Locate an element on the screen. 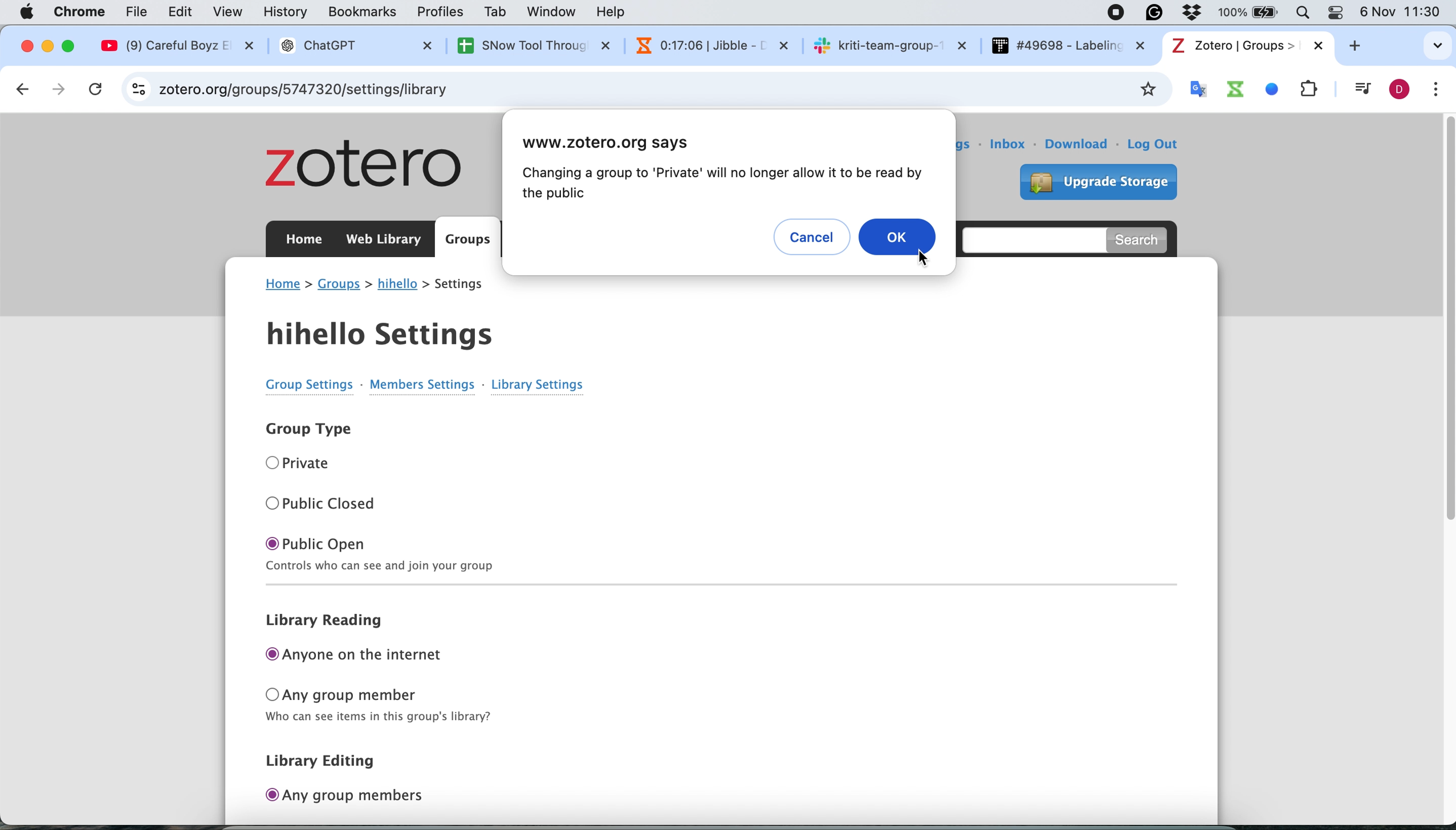 The height and width of the screenshot is (830, 1456). anyone on the internet is located at coordinates (363, 656).